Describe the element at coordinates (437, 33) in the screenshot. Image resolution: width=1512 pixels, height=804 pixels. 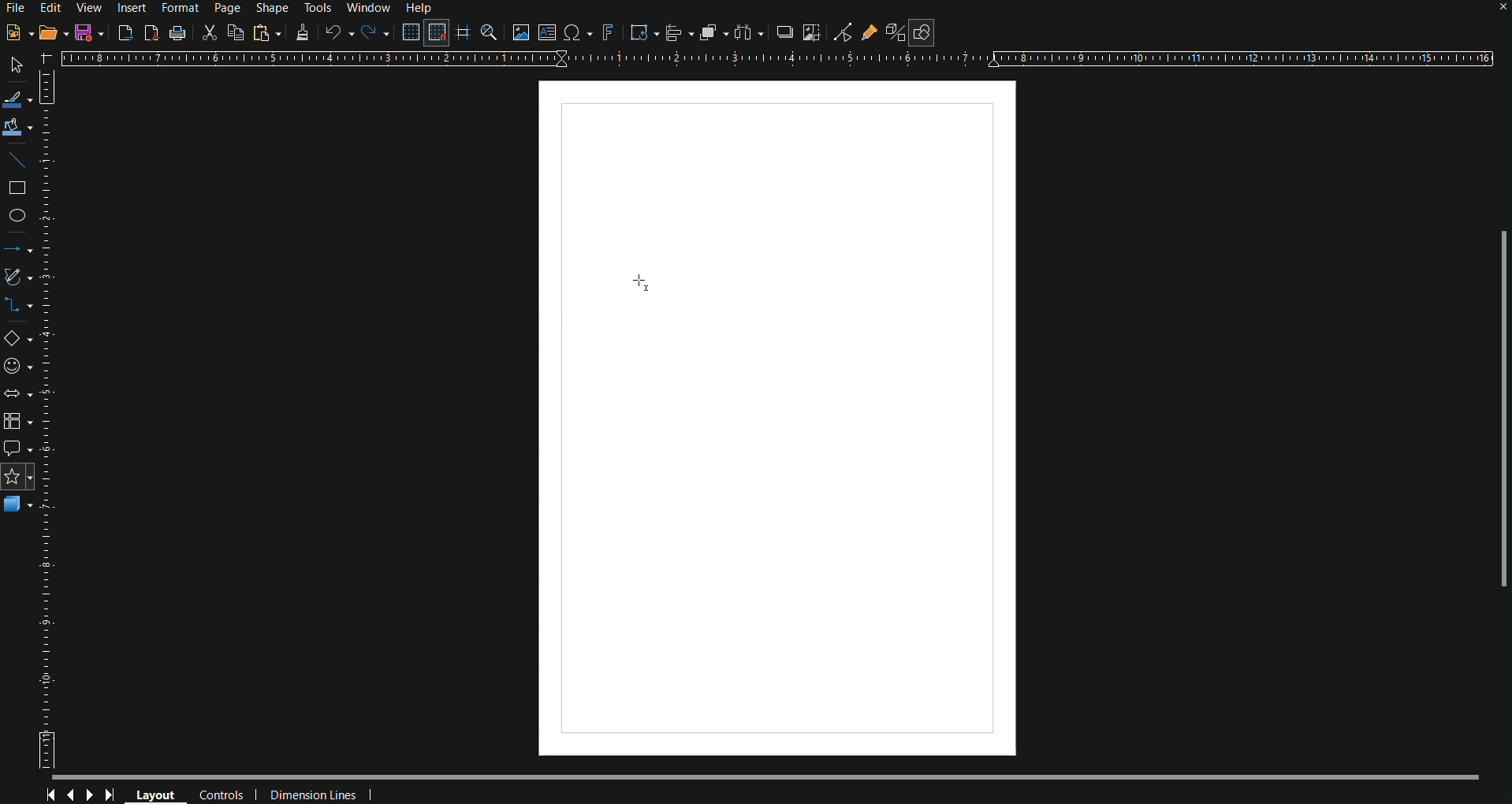
I see `Snap to Grid` at that location.